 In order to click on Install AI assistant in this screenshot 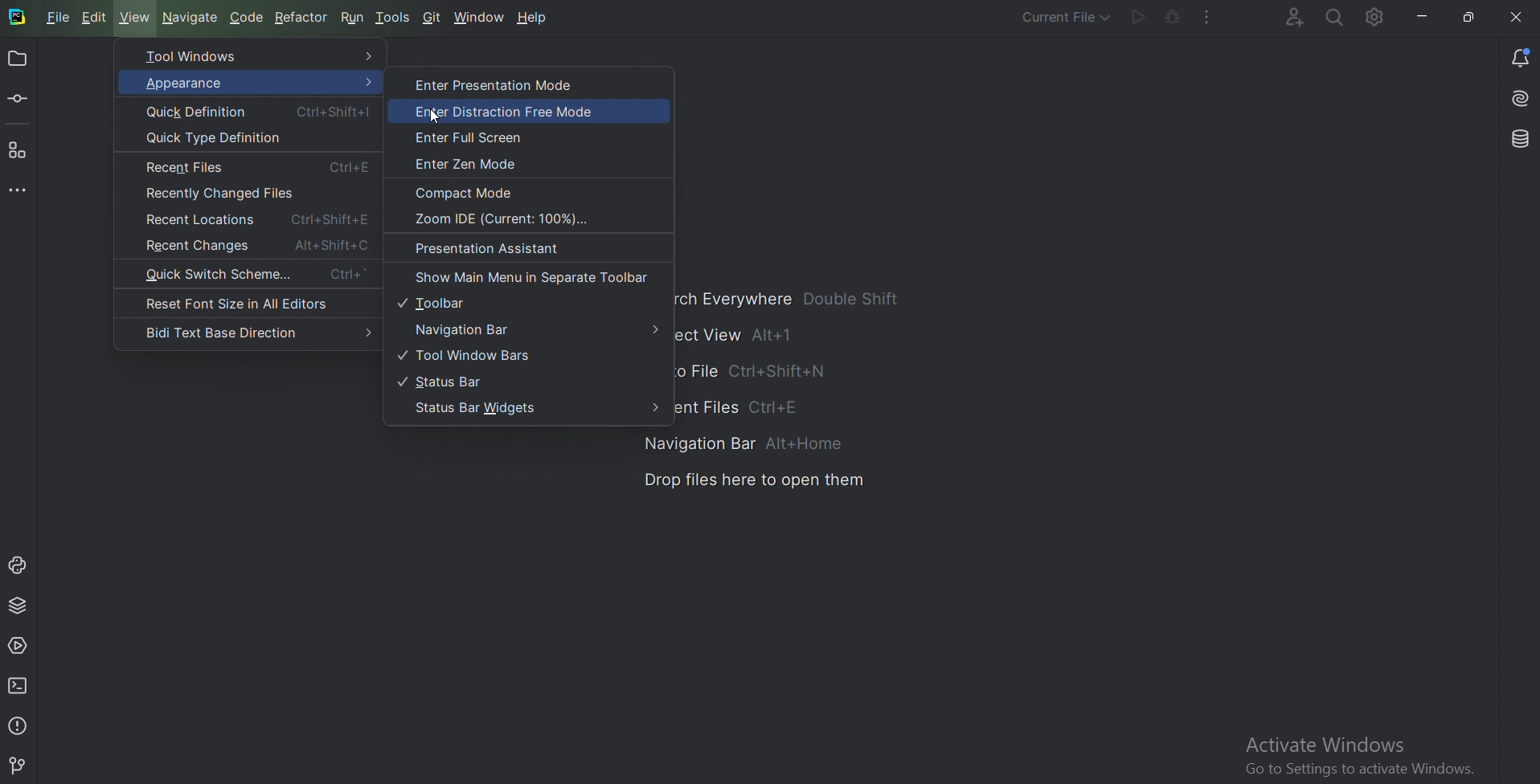, I will do `click(1517, 99)`.